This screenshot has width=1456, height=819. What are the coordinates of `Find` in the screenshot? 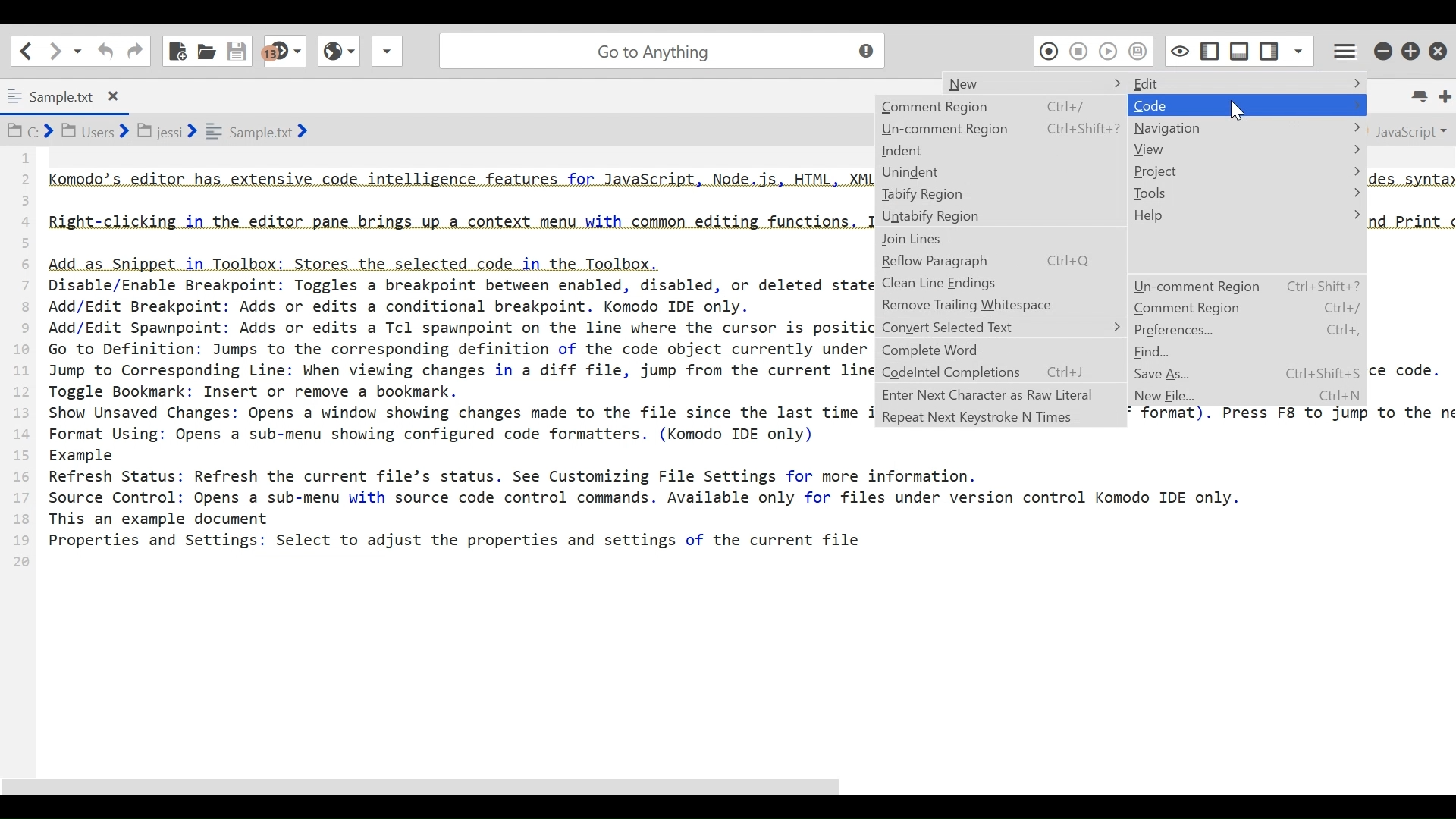 It's located at (1155, 353).